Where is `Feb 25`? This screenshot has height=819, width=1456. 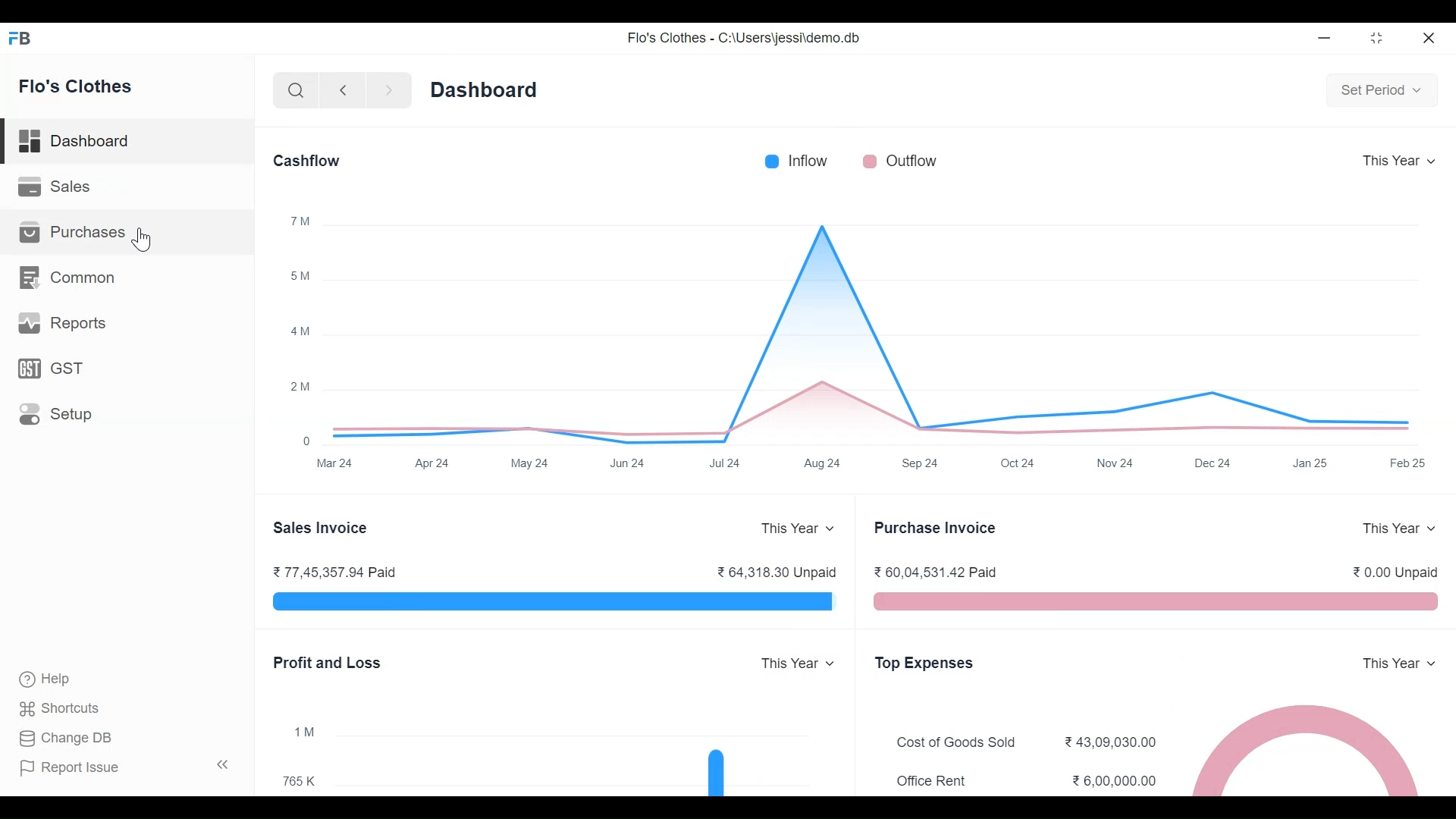 Feb 25 is located at coordinates (1412, 463).